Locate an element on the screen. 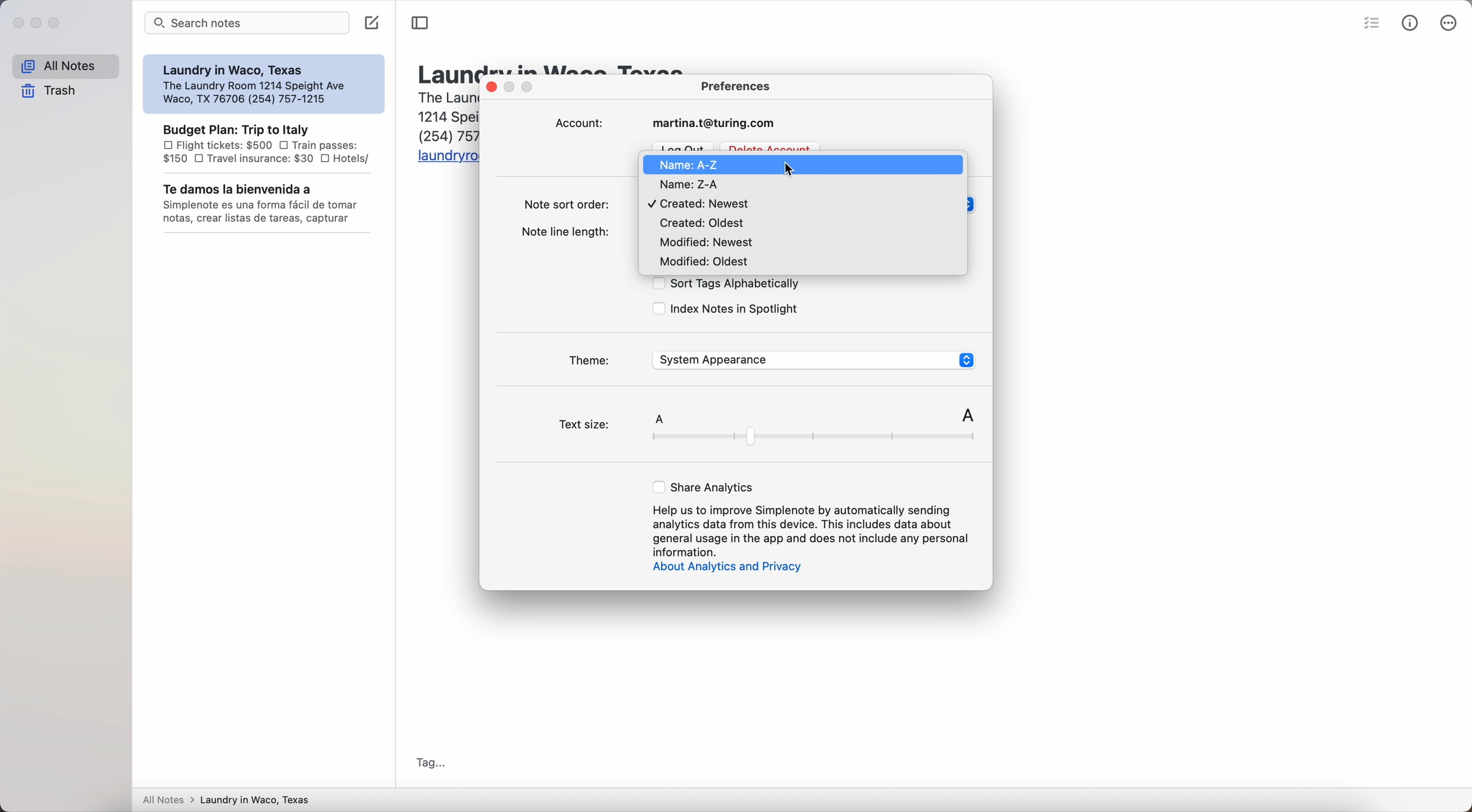 This screenshot has width=1472, height=812. sort tags alphabetically is located at coordinates (724, 285).